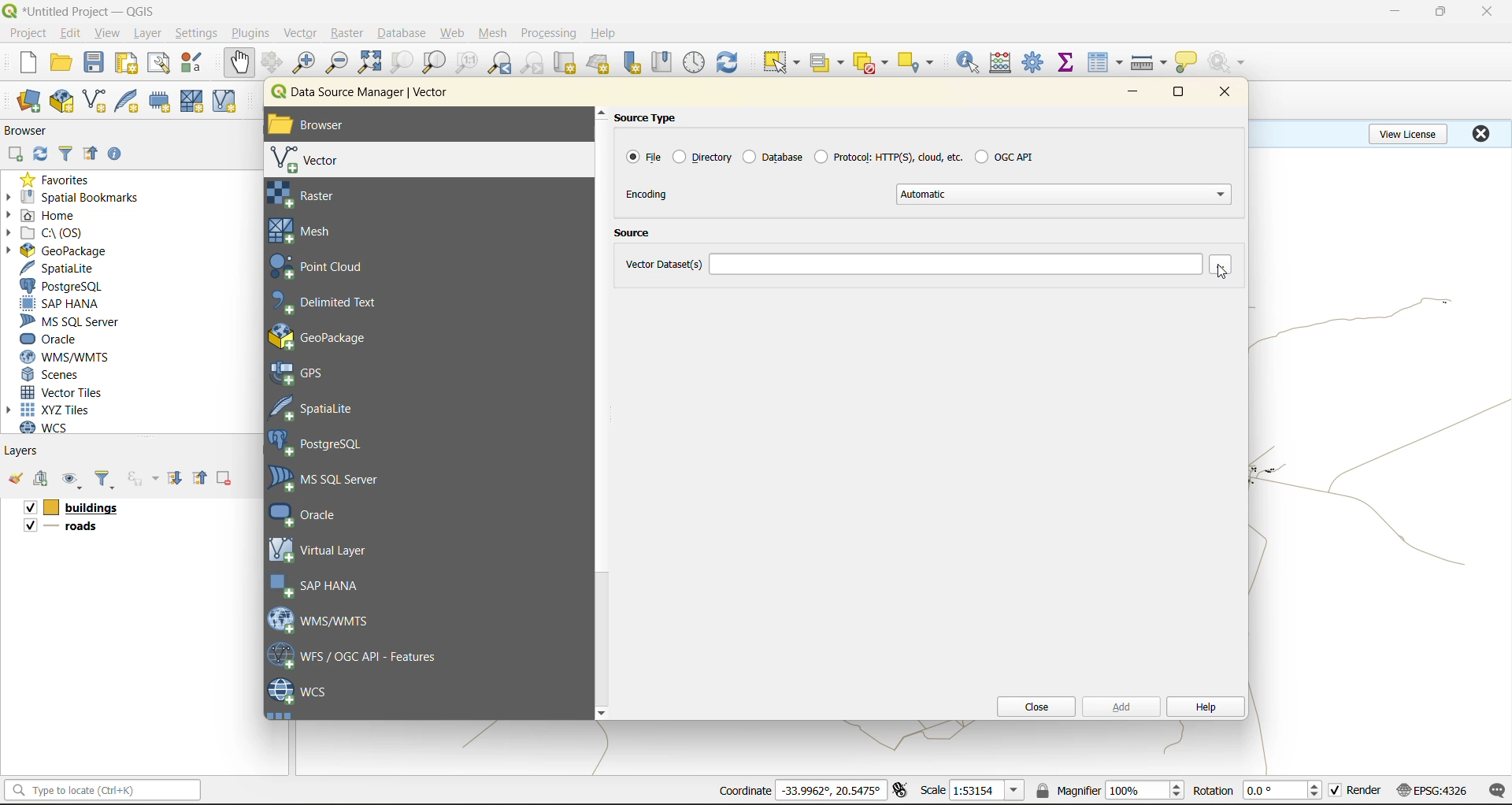 The height and width of the screenshot is (805, 1512). I want to click on vector tiles, so click(65, 391).